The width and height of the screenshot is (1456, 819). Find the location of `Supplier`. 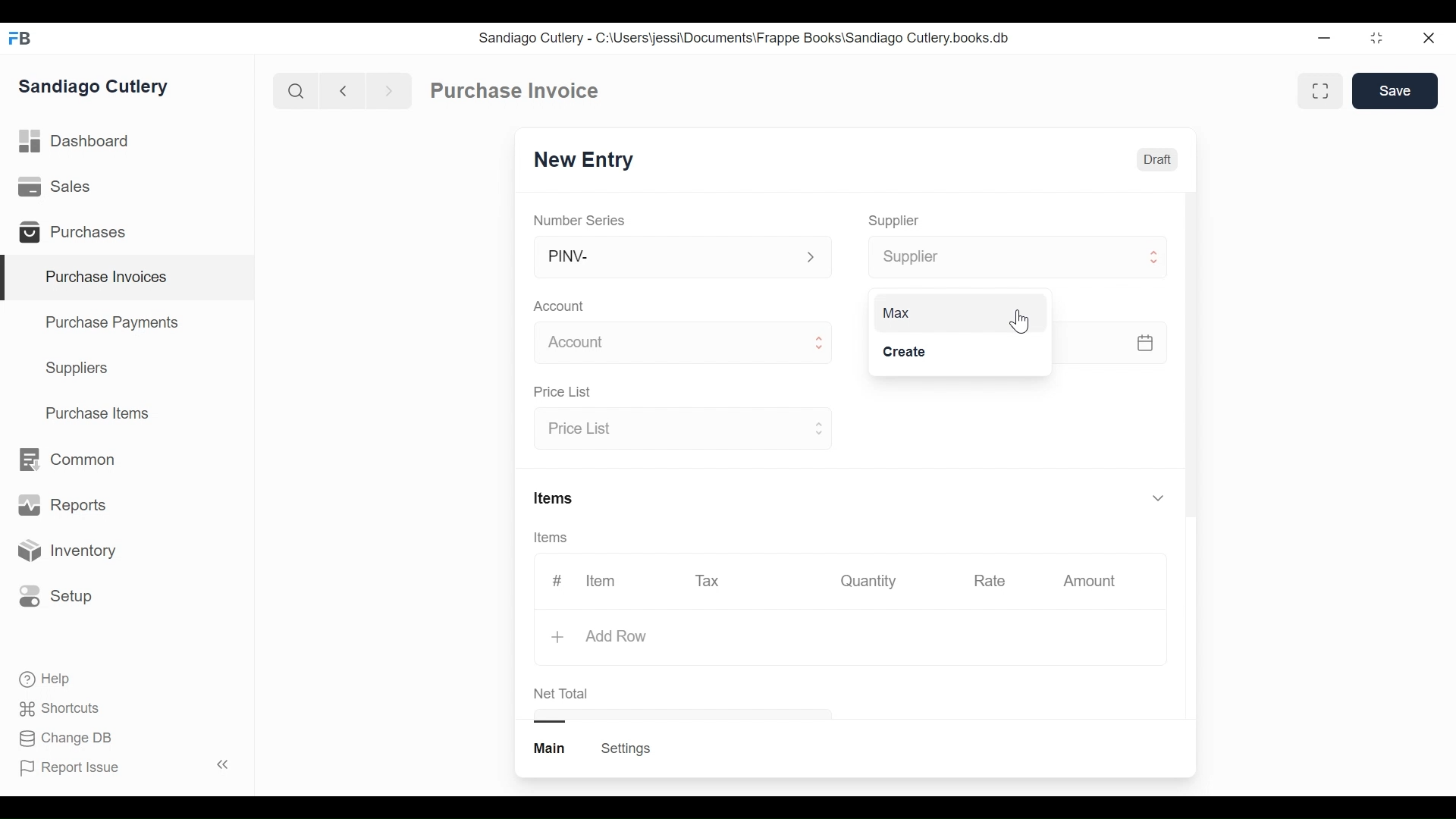

Supplier is located at coordinates (894, 221).